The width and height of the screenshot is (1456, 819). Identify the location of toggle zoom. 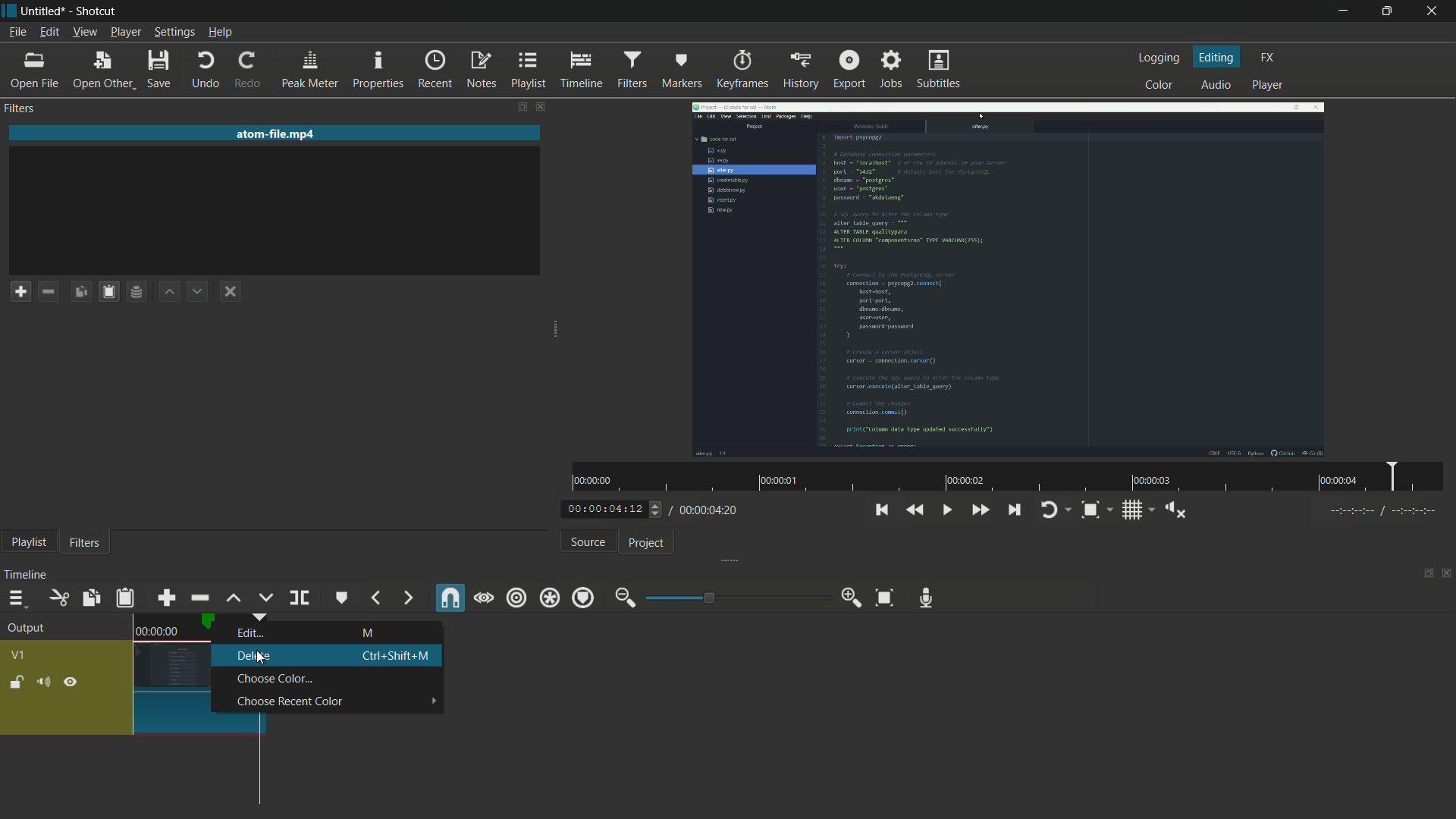
(1091, 510).